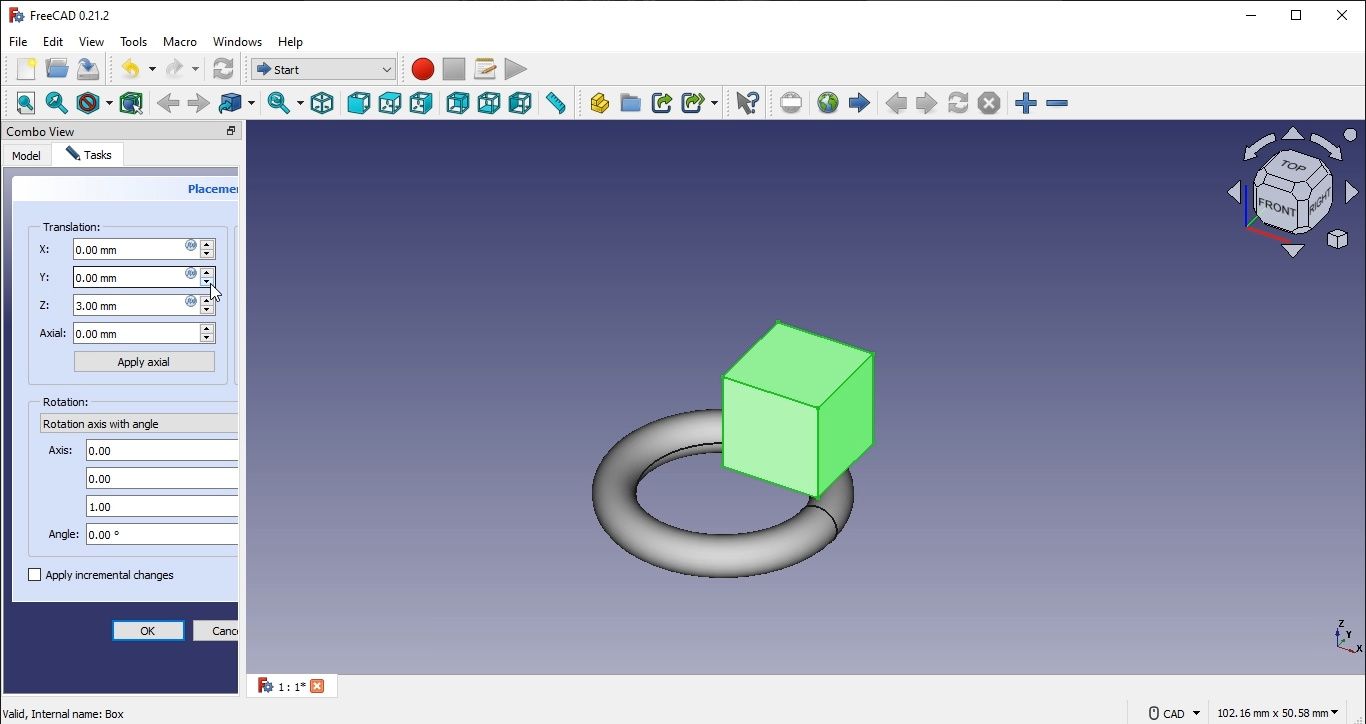 The image size is (1366, 724). I want to click on macro, so click(181, 44).